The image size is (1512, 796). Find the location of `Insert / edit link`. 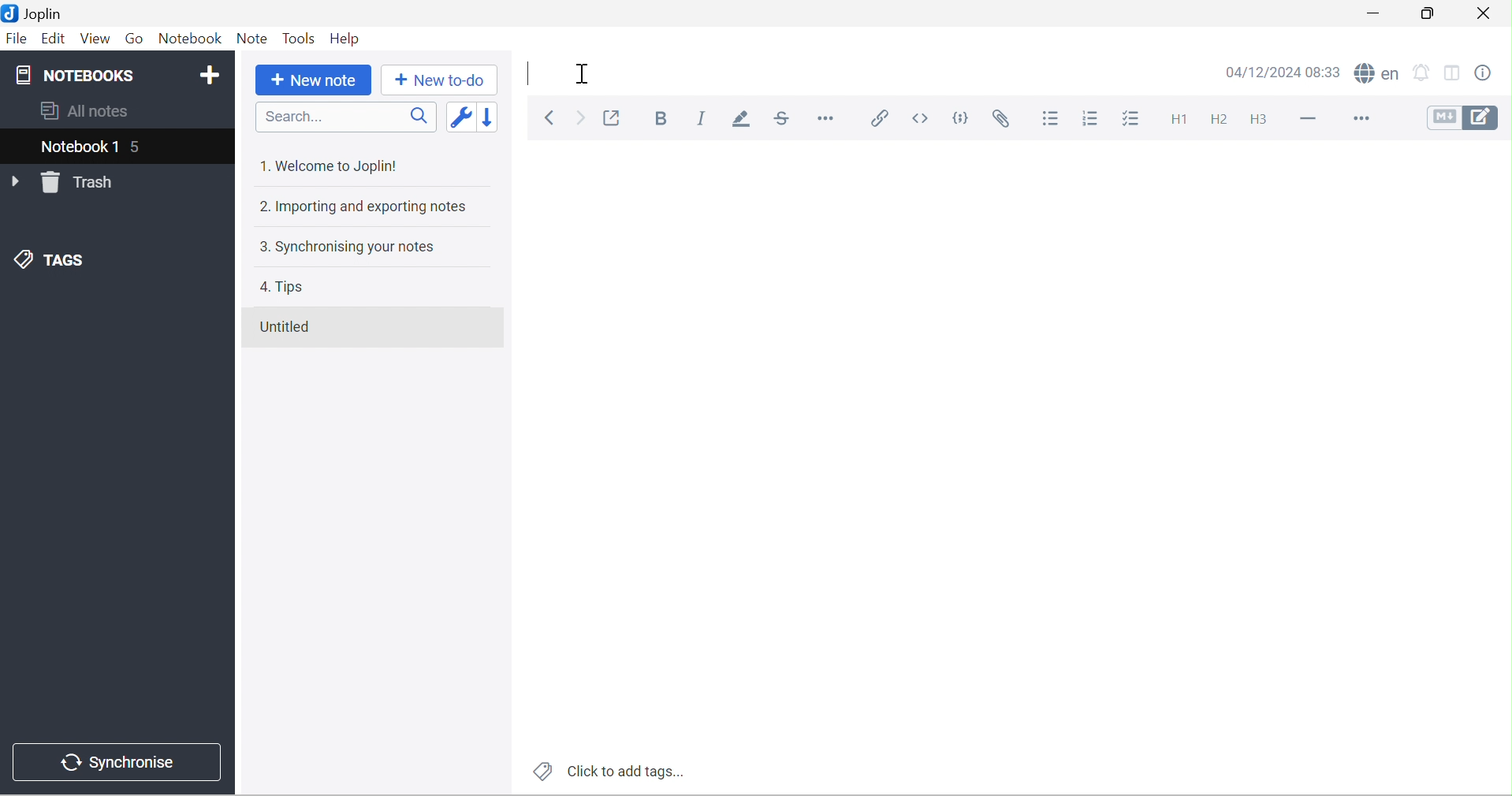

Insert / edit link is located at coordinates (879, 117).